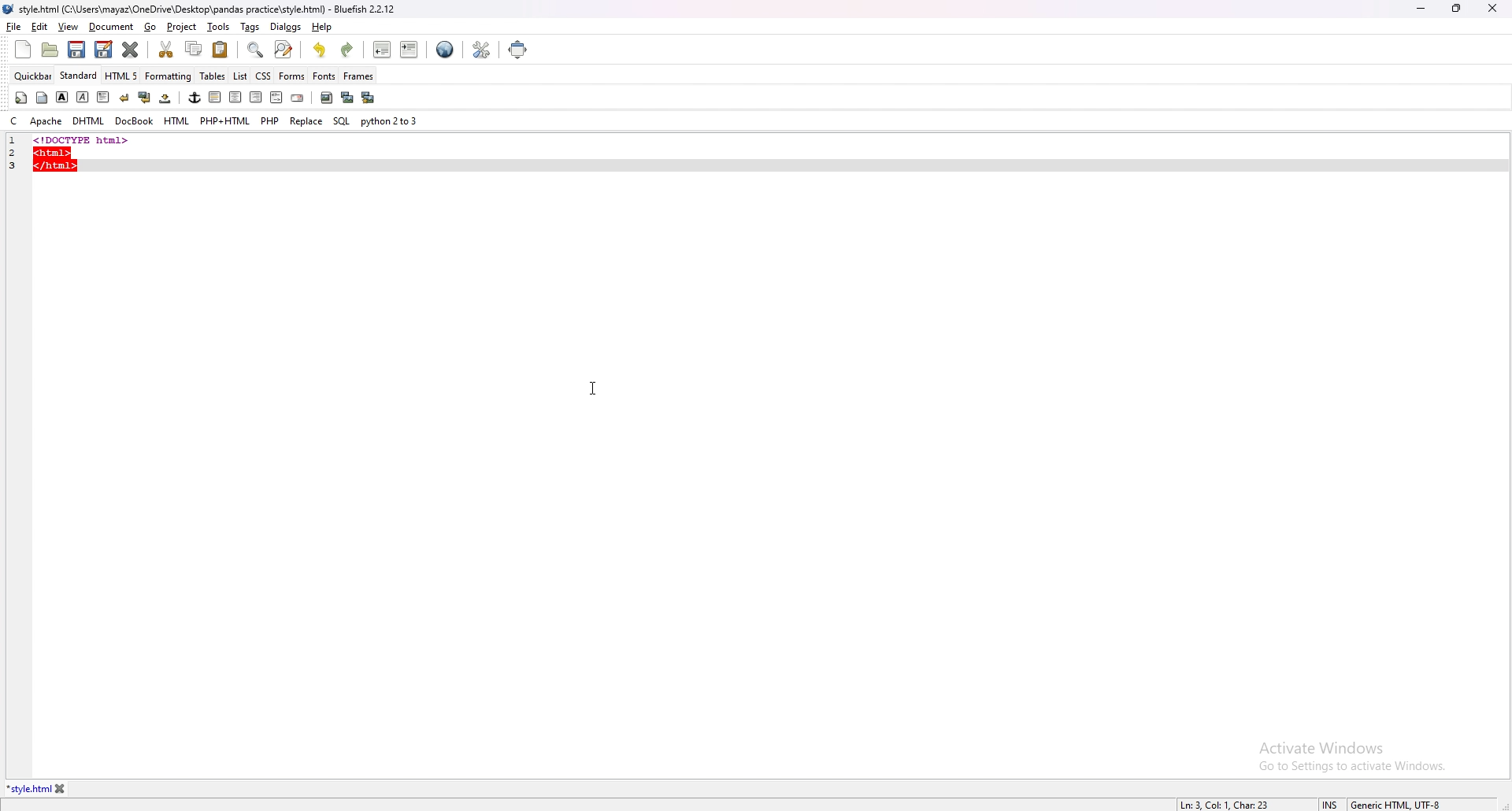 Image resolution: width=1512 pixels, height=811 pixels. Describe the element at coordinates (276, 98) in the screenshot. I see `html comment` at that location.